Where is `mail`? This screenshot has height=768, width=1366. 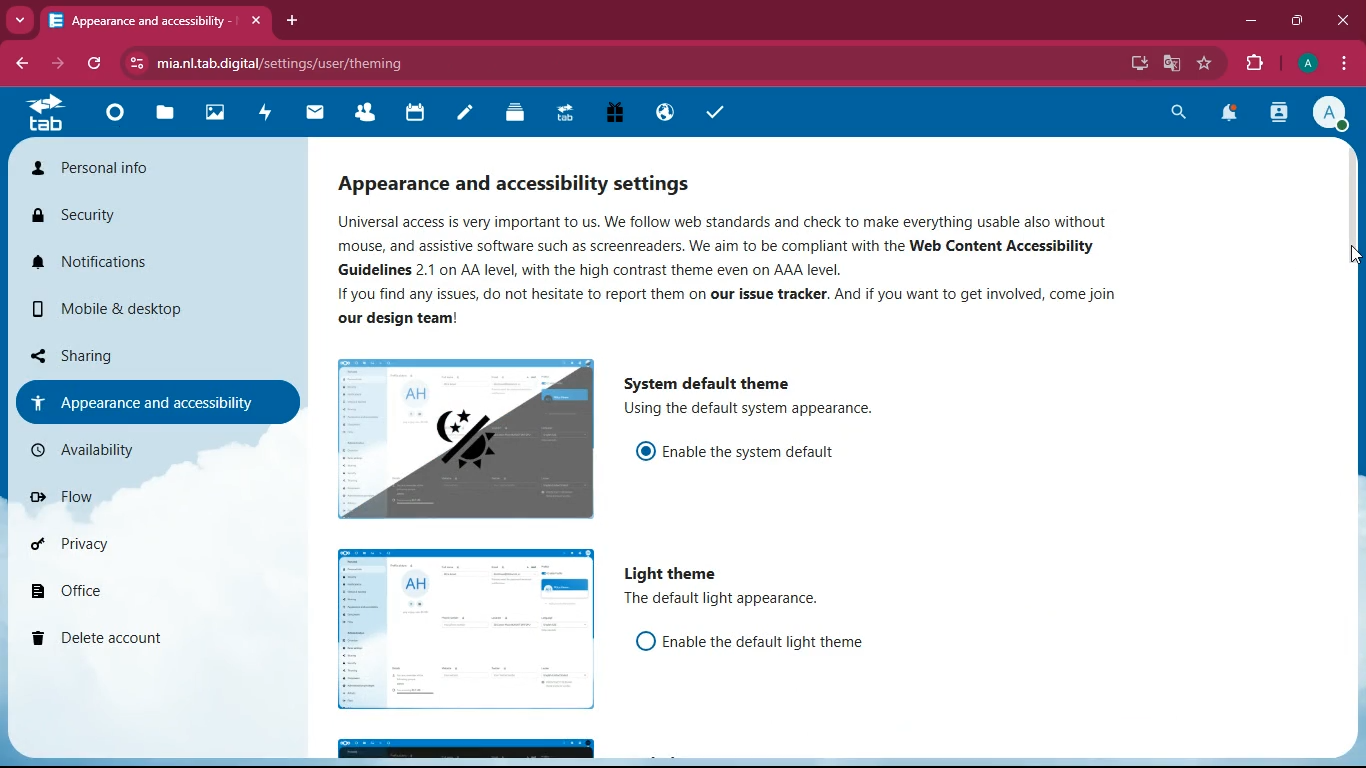
mail is located at coordinates (320, 112).